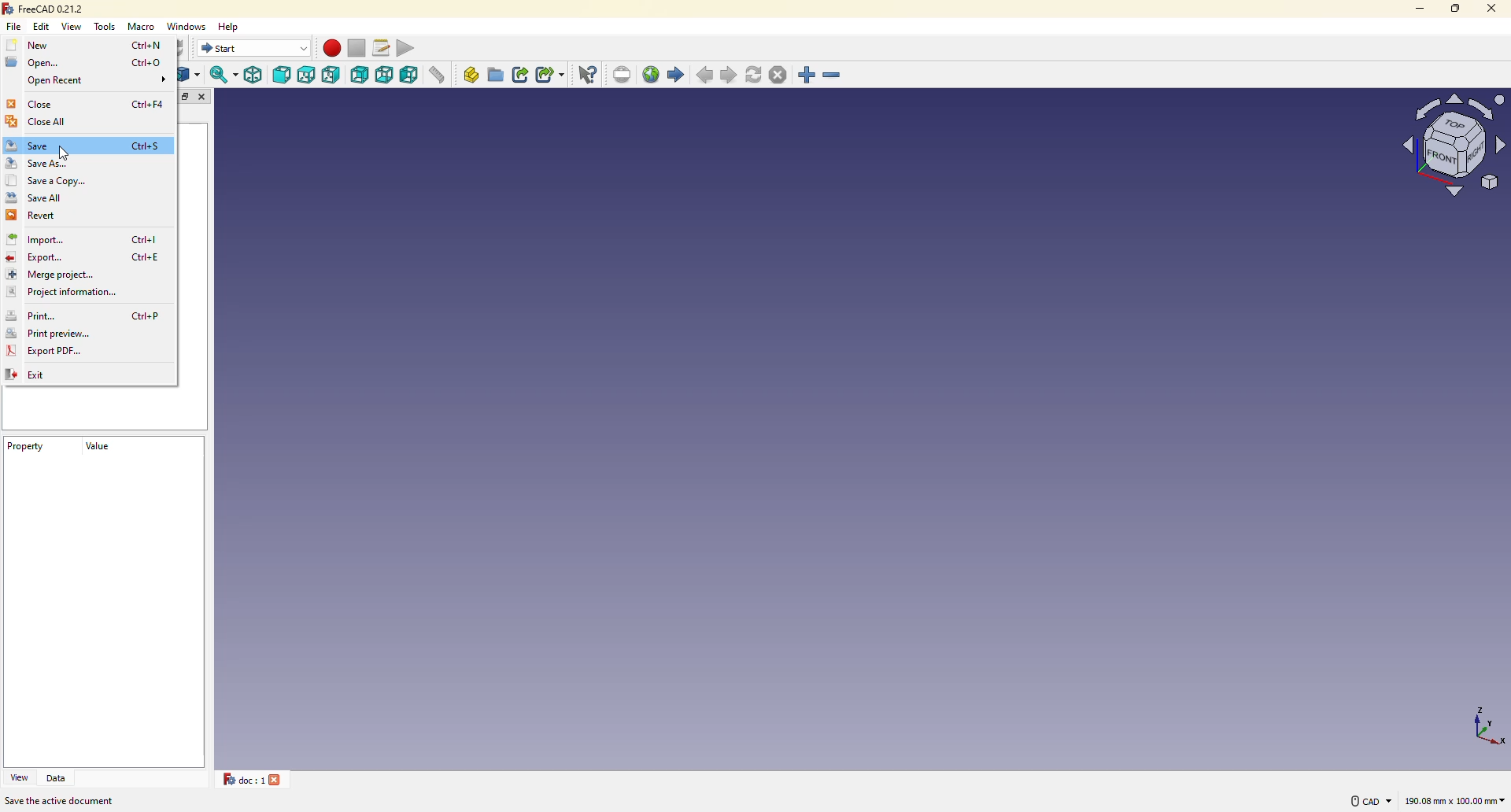 This screenshot has width=1511, height=812. I want to click on expand icon, so click(161, 79).